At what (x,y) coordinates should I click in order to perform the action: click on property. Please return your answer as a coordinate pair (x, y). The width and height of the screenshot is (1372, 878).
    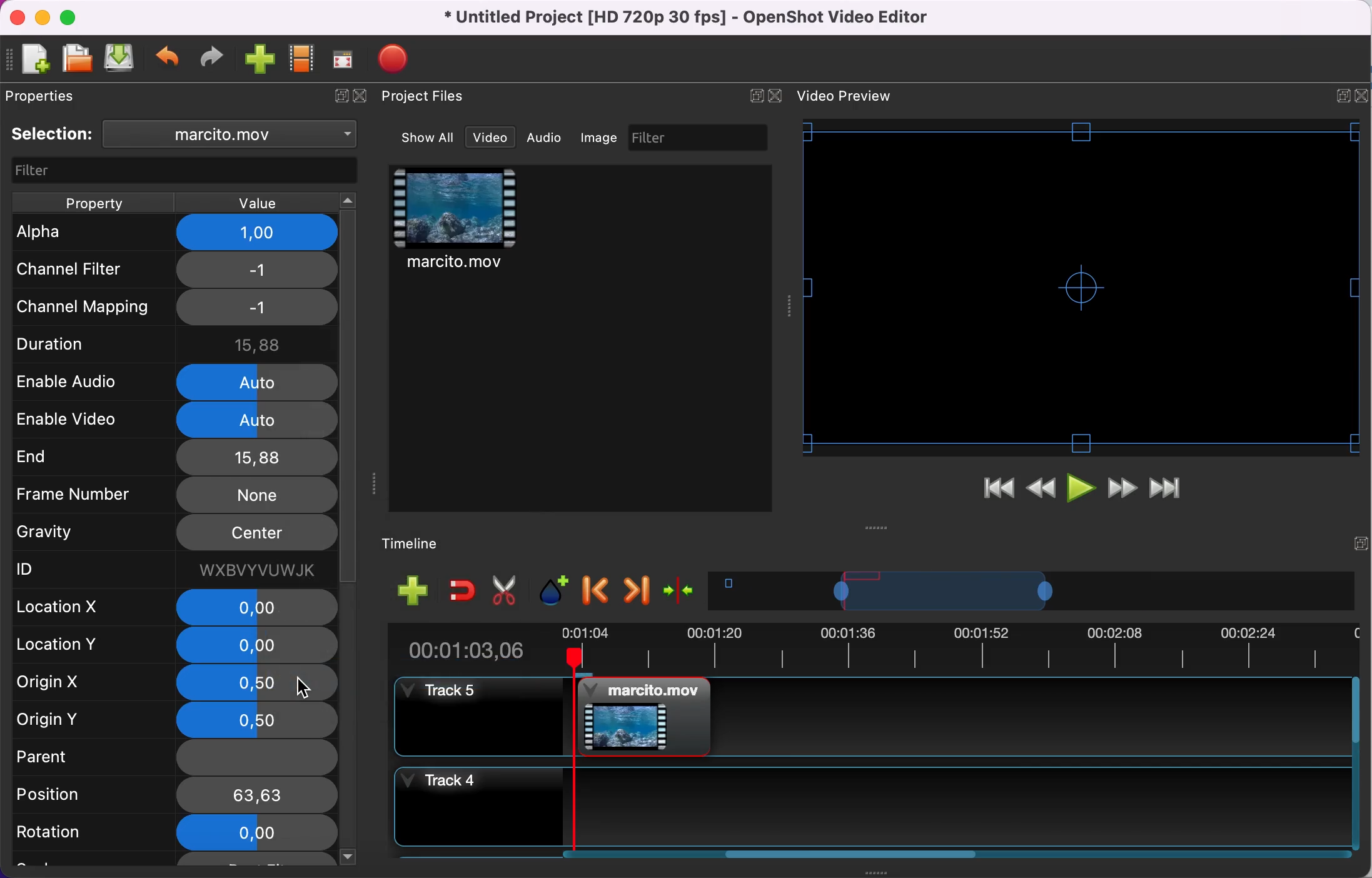
    Looking at the image, I should click on (93, 203).